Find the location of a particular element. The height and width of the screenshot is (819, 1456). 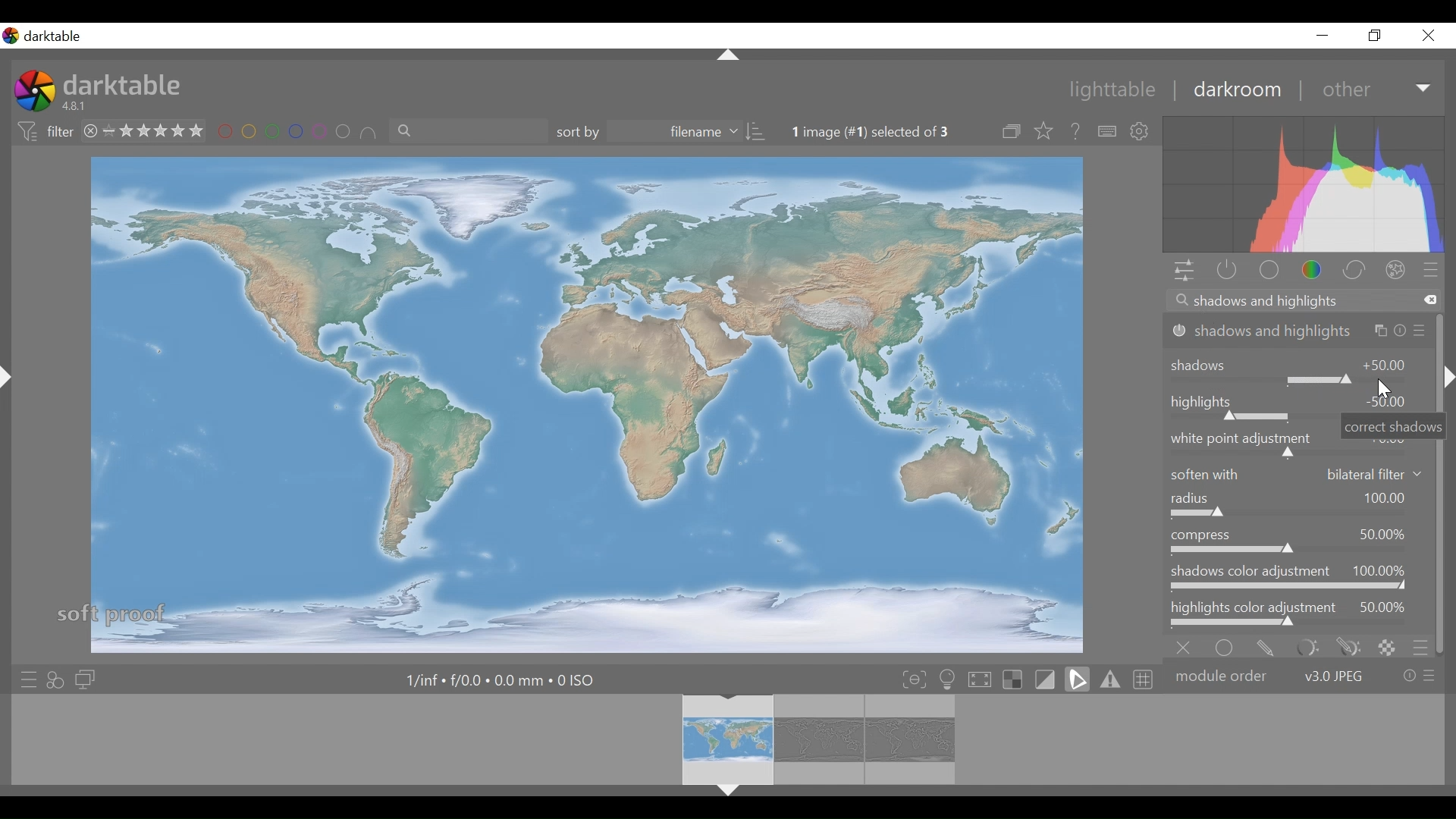

other is located at coordinates (1373, 89).